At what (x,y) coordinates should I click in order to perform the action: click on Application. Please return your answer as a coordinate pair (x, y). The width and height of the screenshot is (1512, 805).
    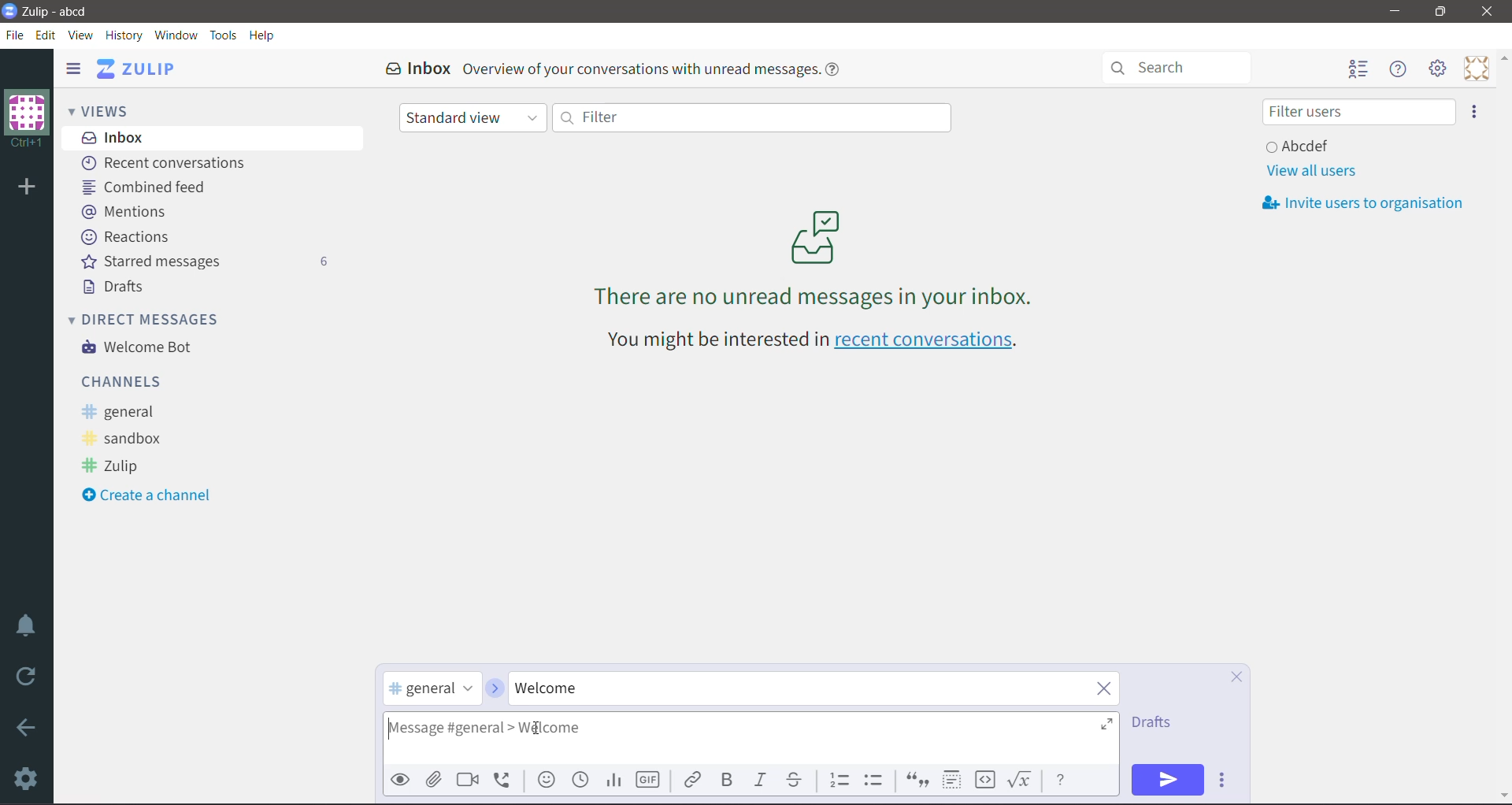
    Looking at the image, I should click on (141, 69).